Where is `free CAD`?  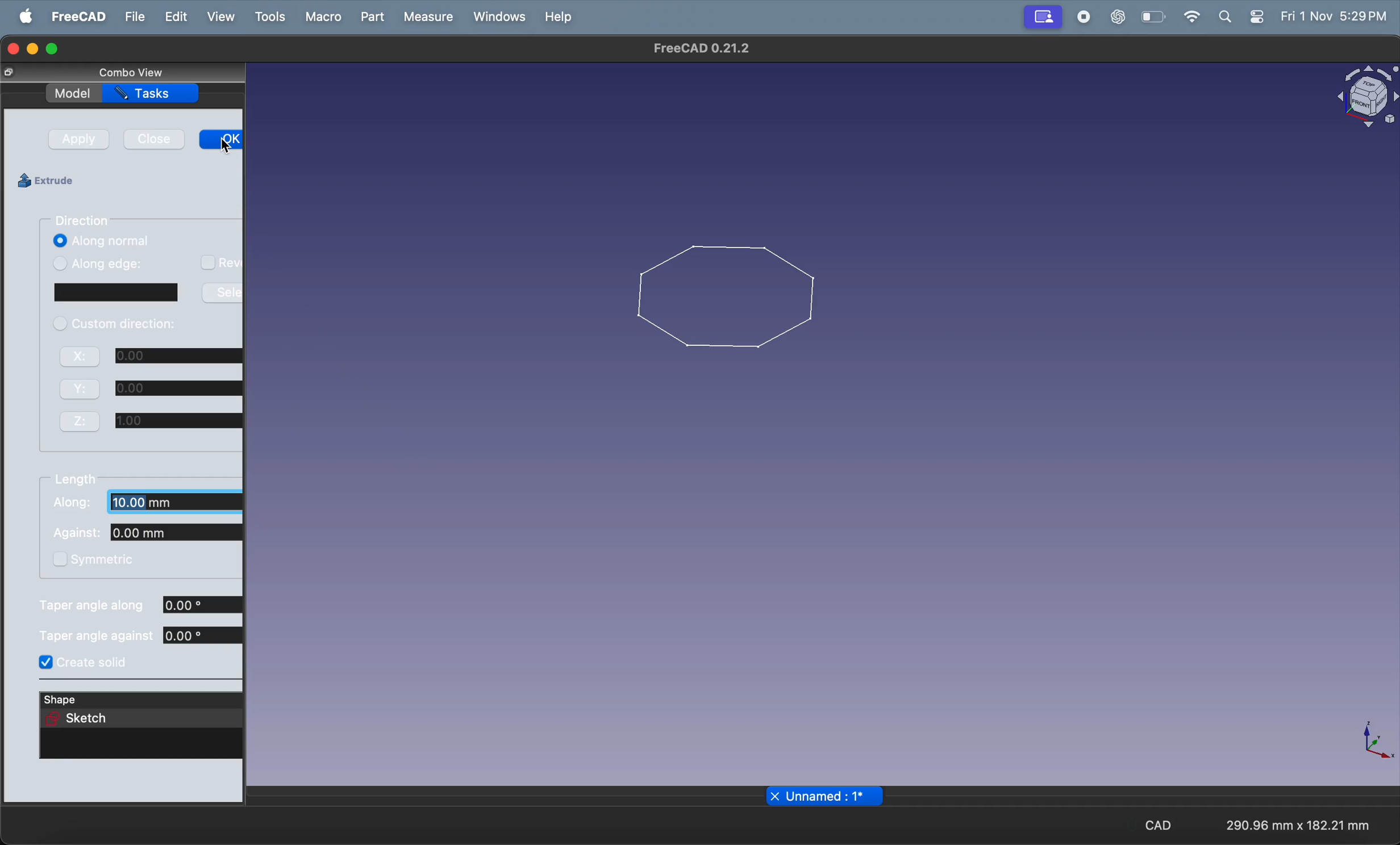 free CAD is located at coordinates (74, 16).